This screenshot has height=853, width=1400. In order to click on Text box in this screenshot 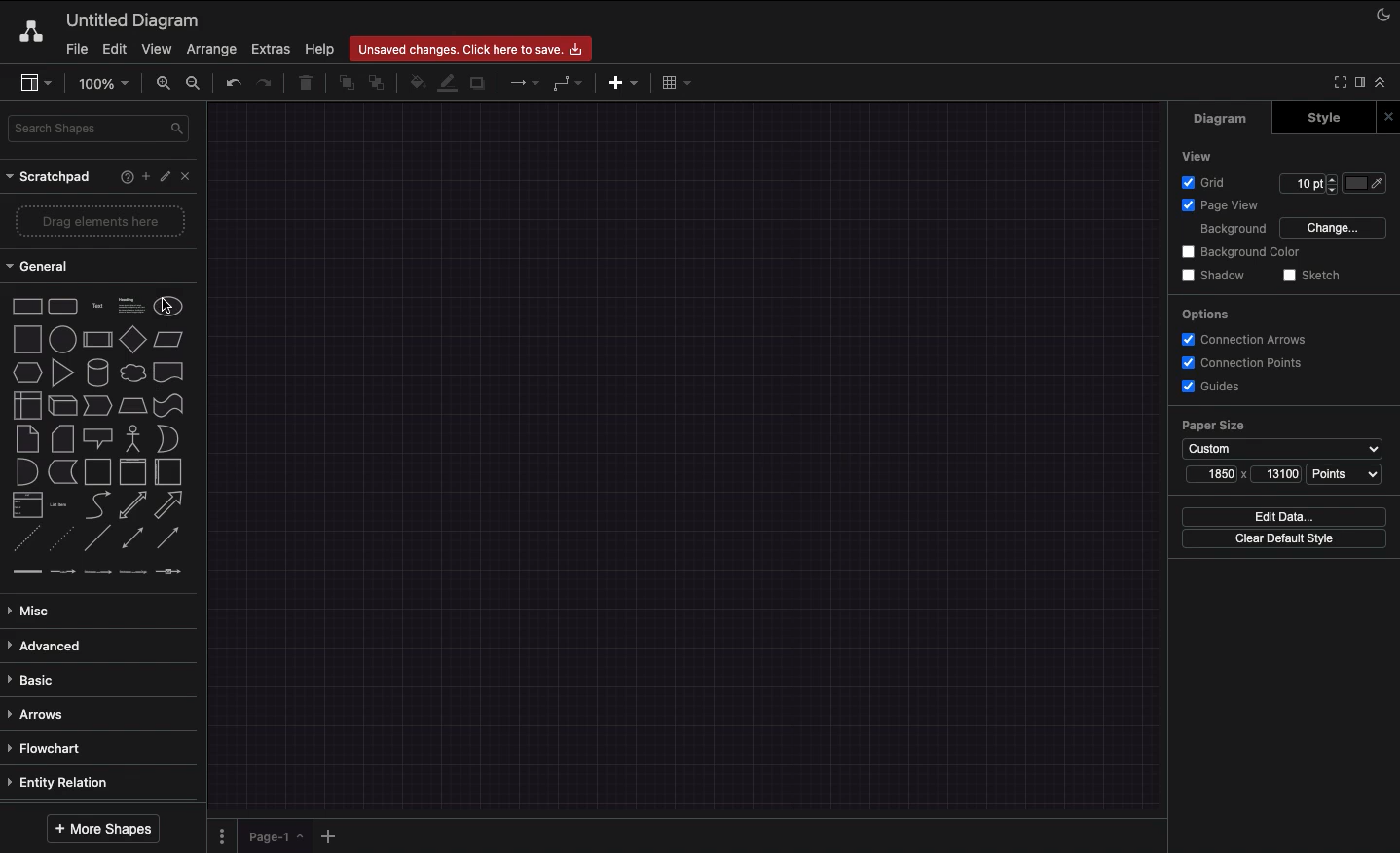, I will do `click(129, 306)`.